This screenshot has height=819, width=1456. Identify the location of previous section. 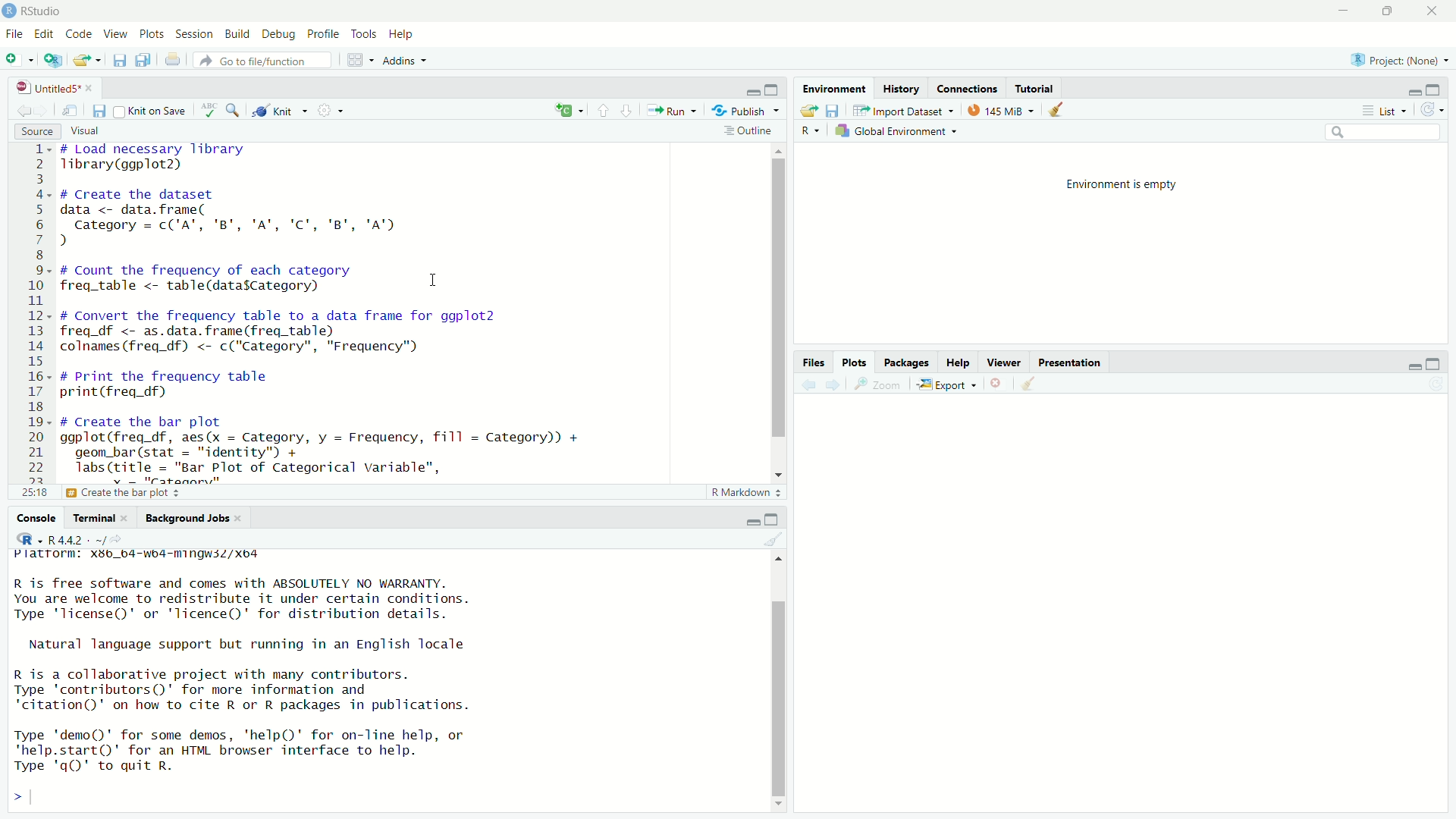
(603, 114).